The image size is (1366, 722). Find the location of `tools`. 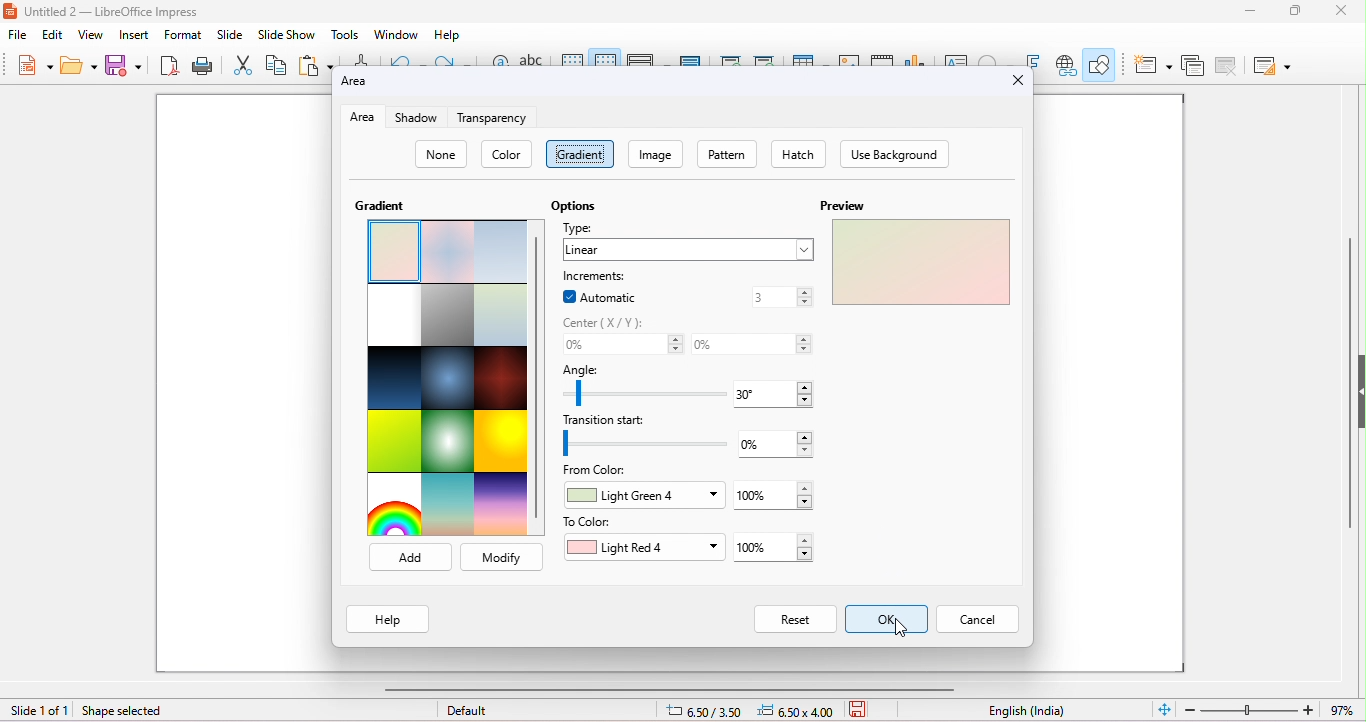

tools is located at coordinates (344, 34).